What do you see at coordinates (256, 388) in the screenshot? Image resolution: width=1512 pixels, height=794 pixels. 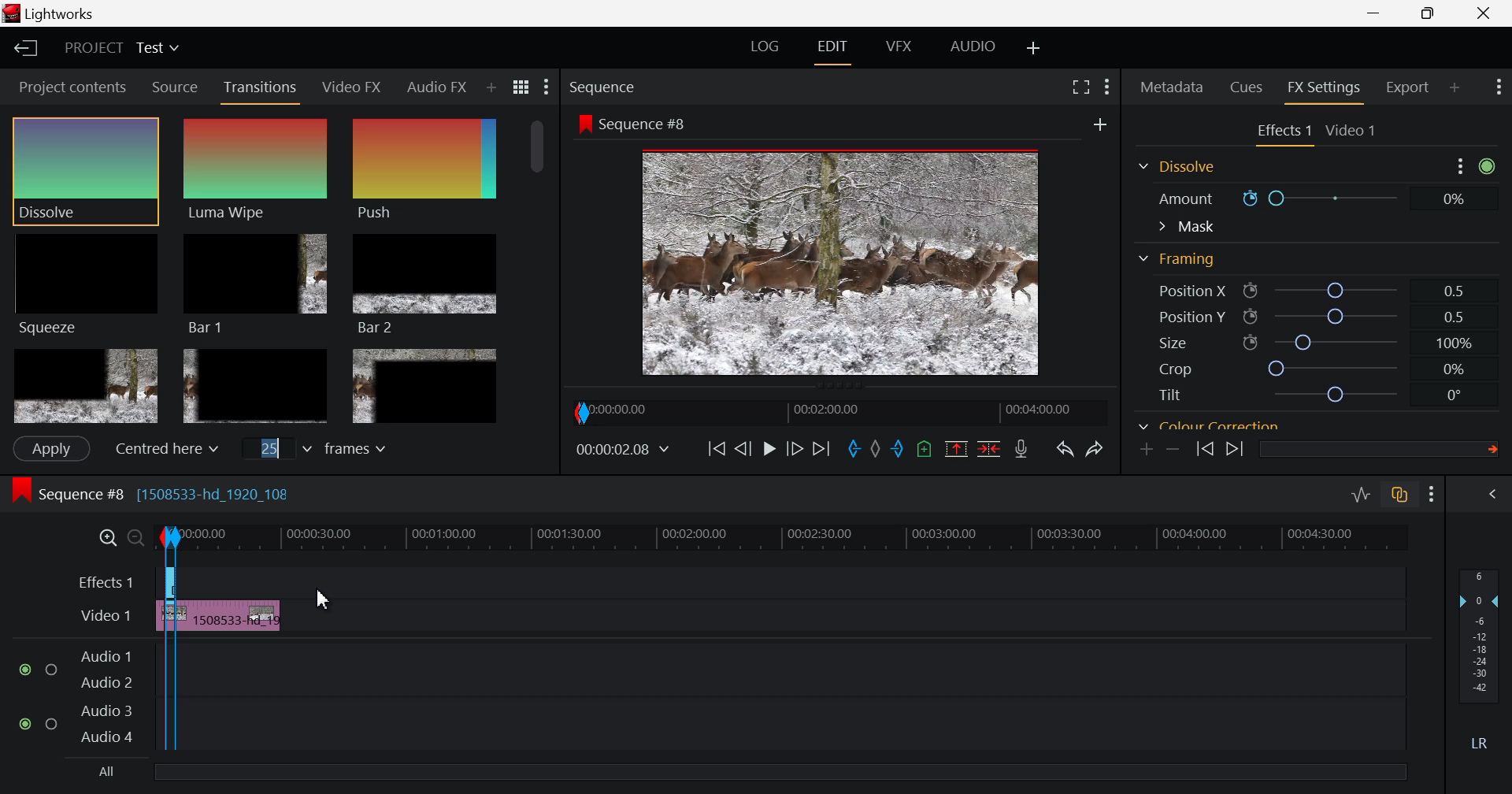 I see `Box 5` at bounding box center [256, 388].